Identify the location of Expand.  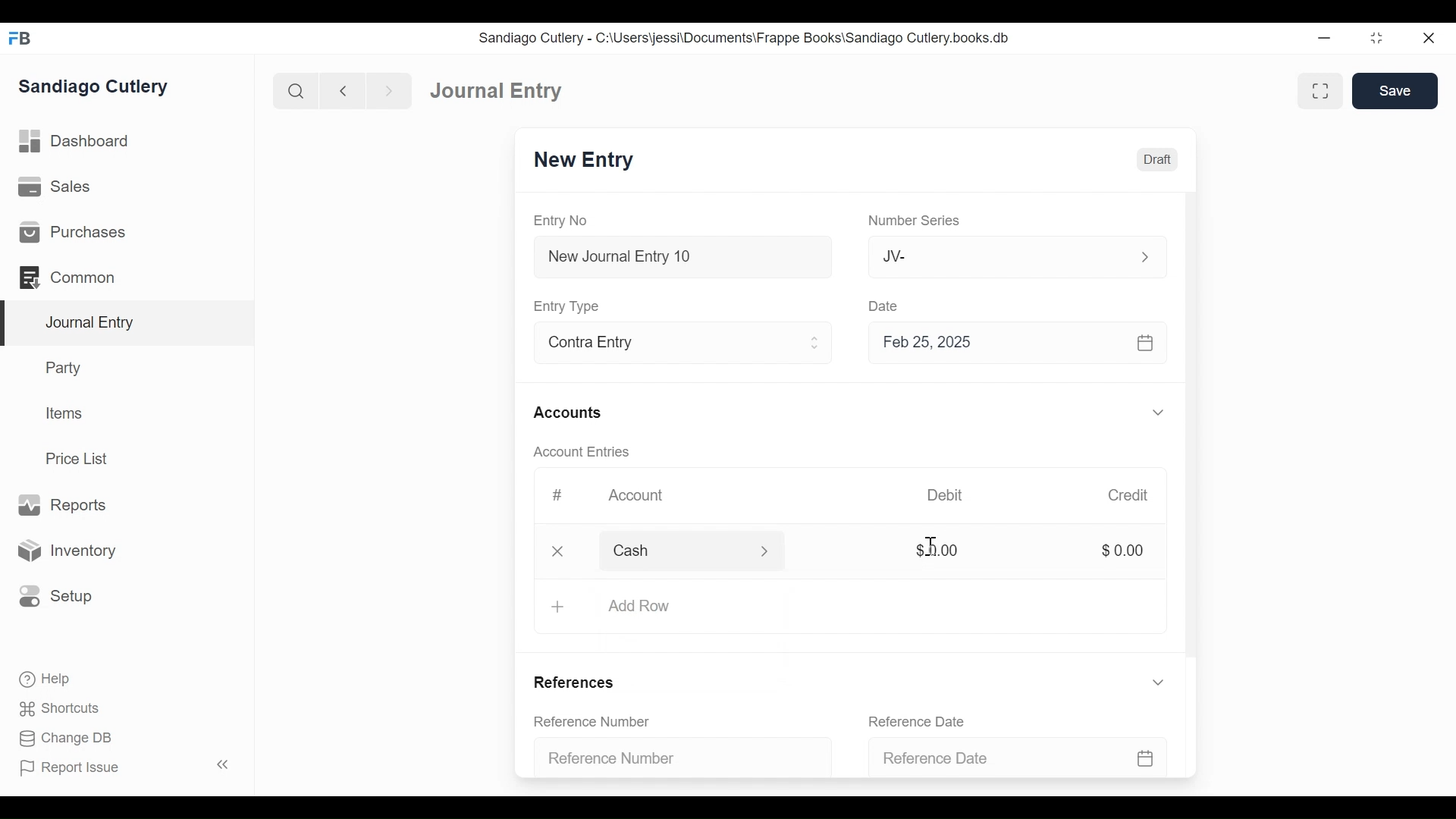
(1144, 256).